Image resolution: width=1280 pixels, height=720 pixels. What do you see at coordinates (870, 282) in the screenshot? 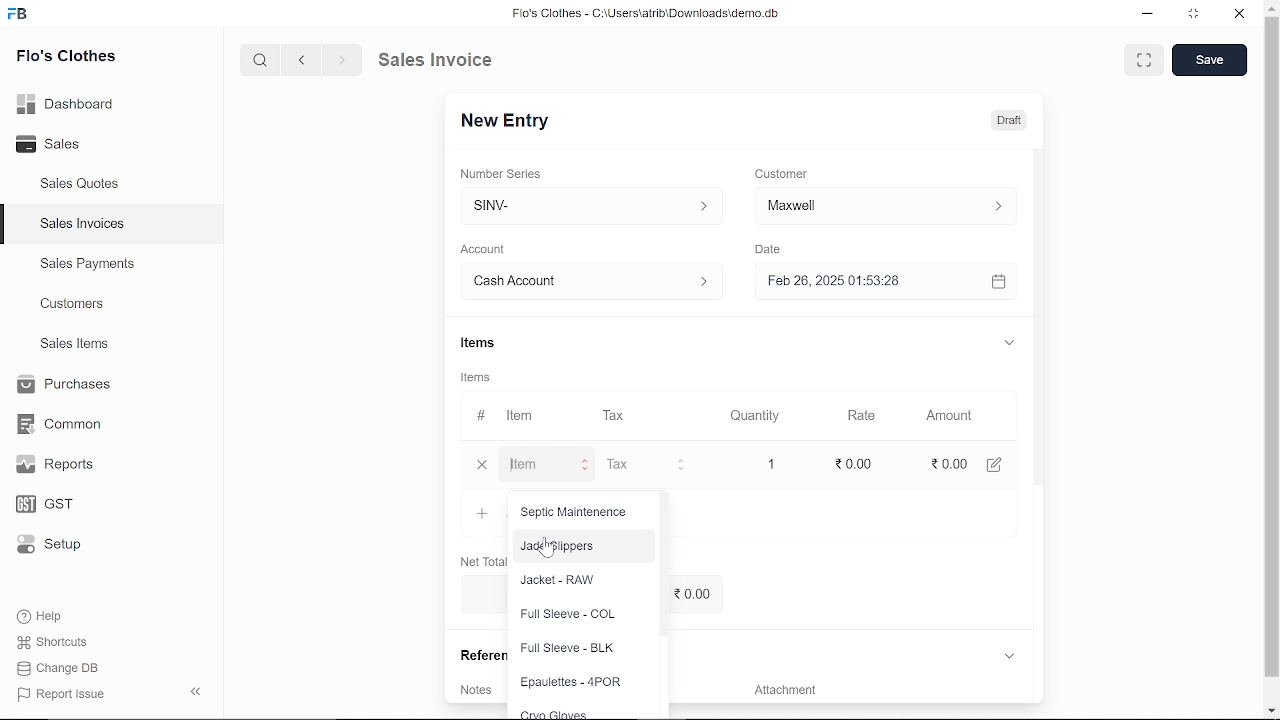
I see `Feb 26, 2025 01:53:28` at bounding box center [870, 282].